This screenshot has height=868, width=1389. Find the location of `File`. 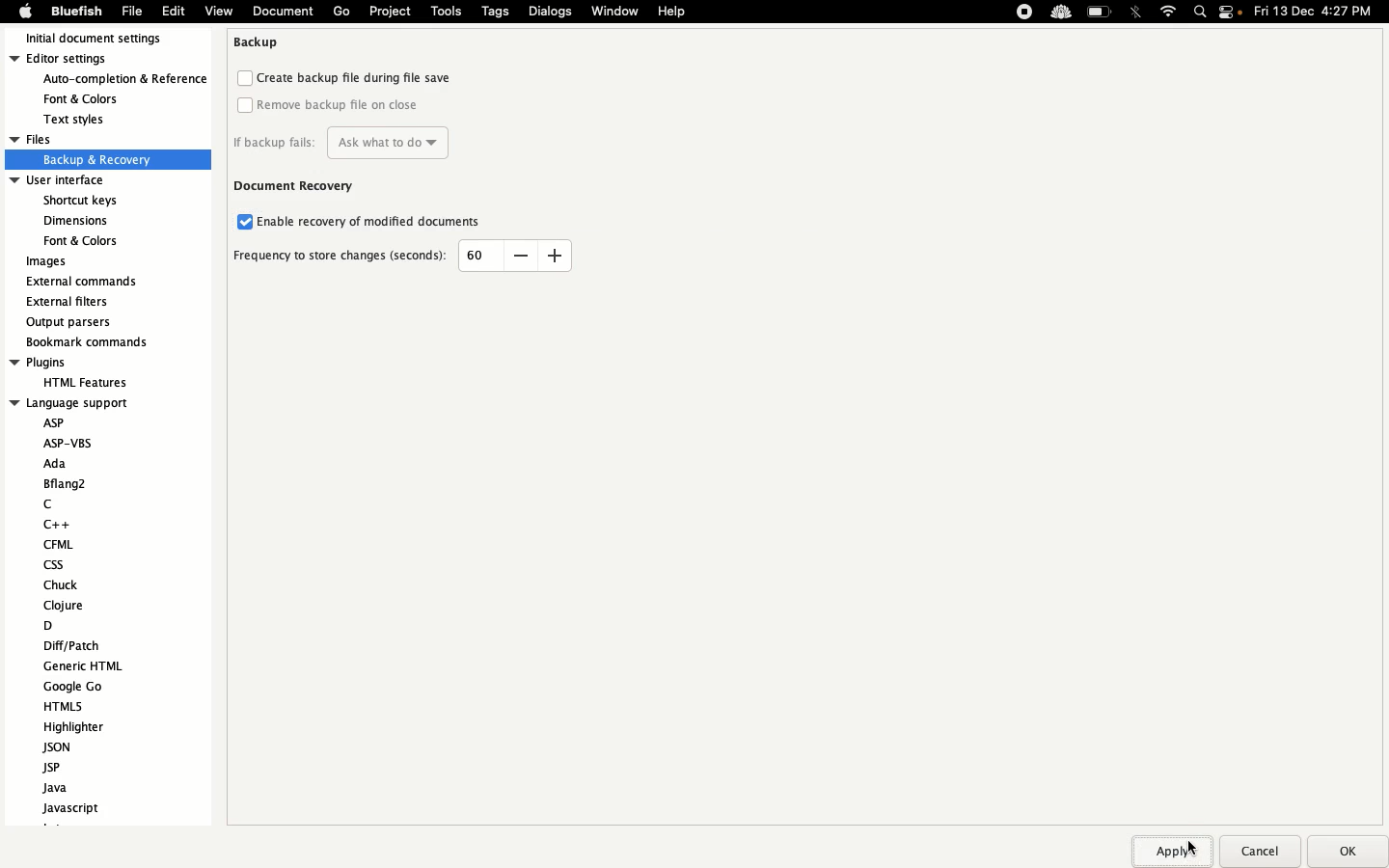

File is located at coordinates (131, 14).